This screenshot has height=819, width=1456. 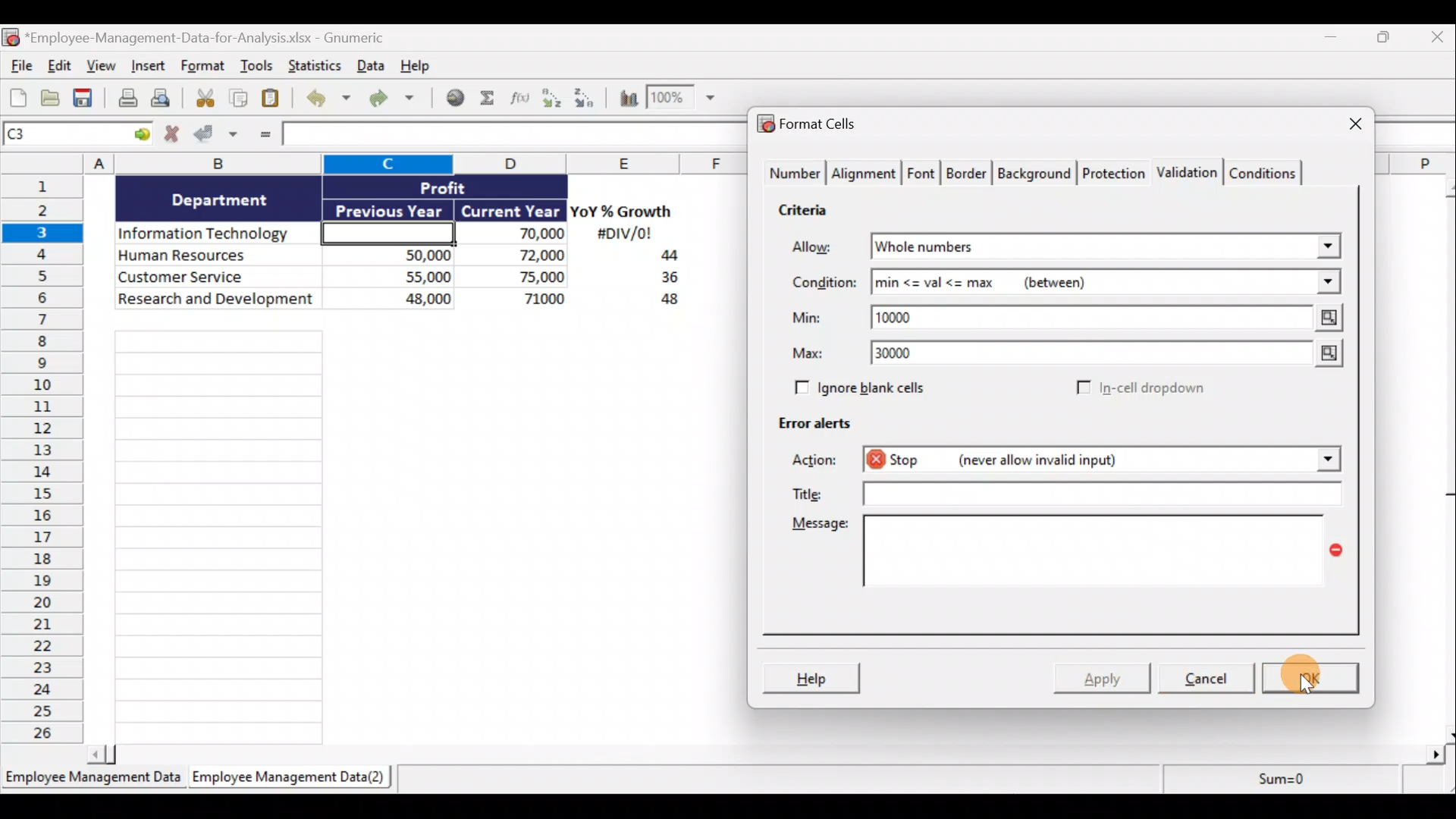 What do you see at coordinates (275, 99) in the screenshot?
I see `Paste clipboard` at bounding box center [275, 99].